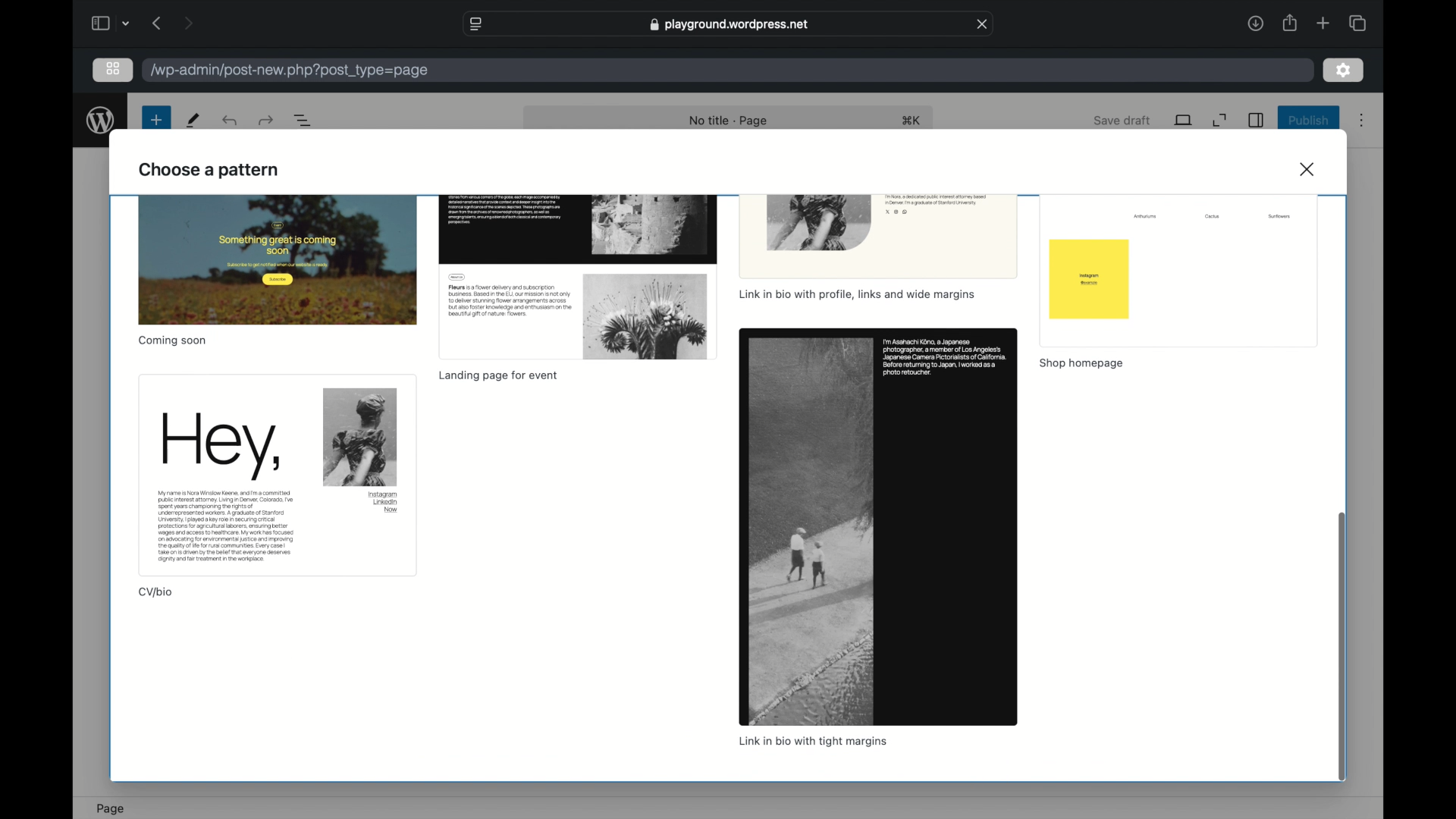 The width and height of the screenshot is (1456, 819). I want to click on link in bio, so click(811, 742).